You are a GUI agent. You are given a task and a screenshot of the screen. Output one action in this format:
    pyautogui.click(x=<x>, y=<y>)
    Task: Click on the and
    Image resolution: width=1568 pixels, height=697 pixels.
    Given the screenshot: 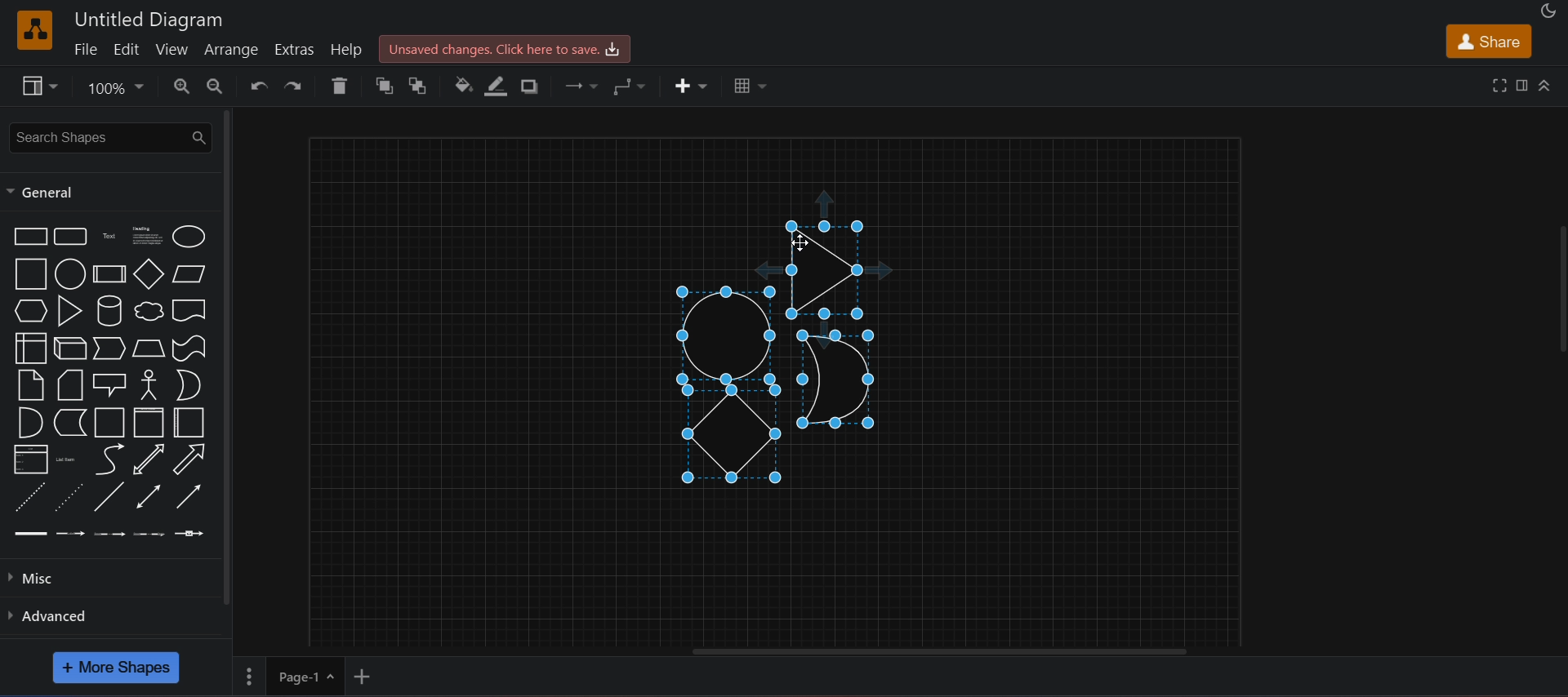 What is the action you would take?
    pyautogui.click(x=29, y=421)
    